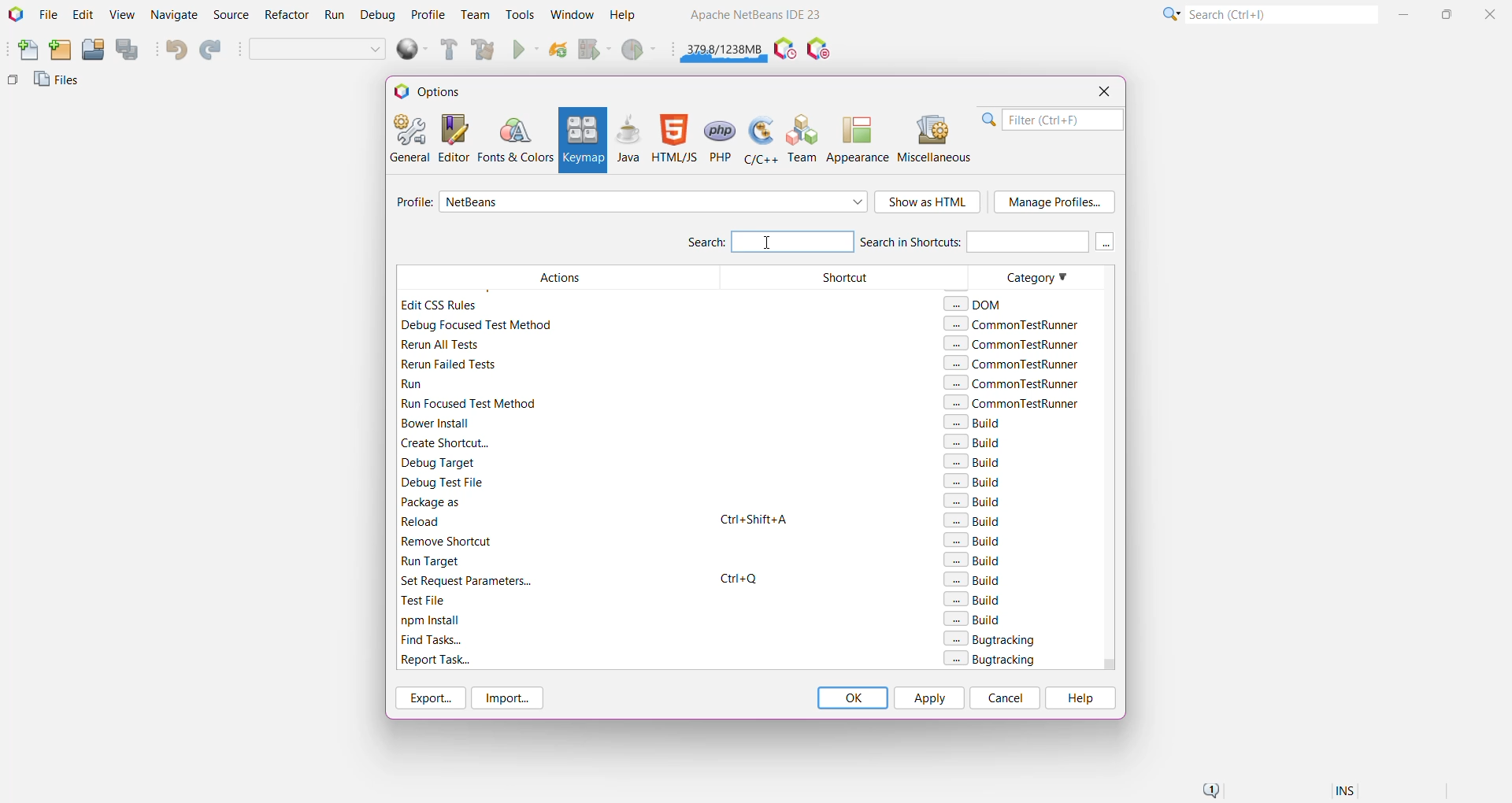  What do you see at coordinates (1079, 698) in the screenshot?
I see `Help` at bounding box center [1079, 698].